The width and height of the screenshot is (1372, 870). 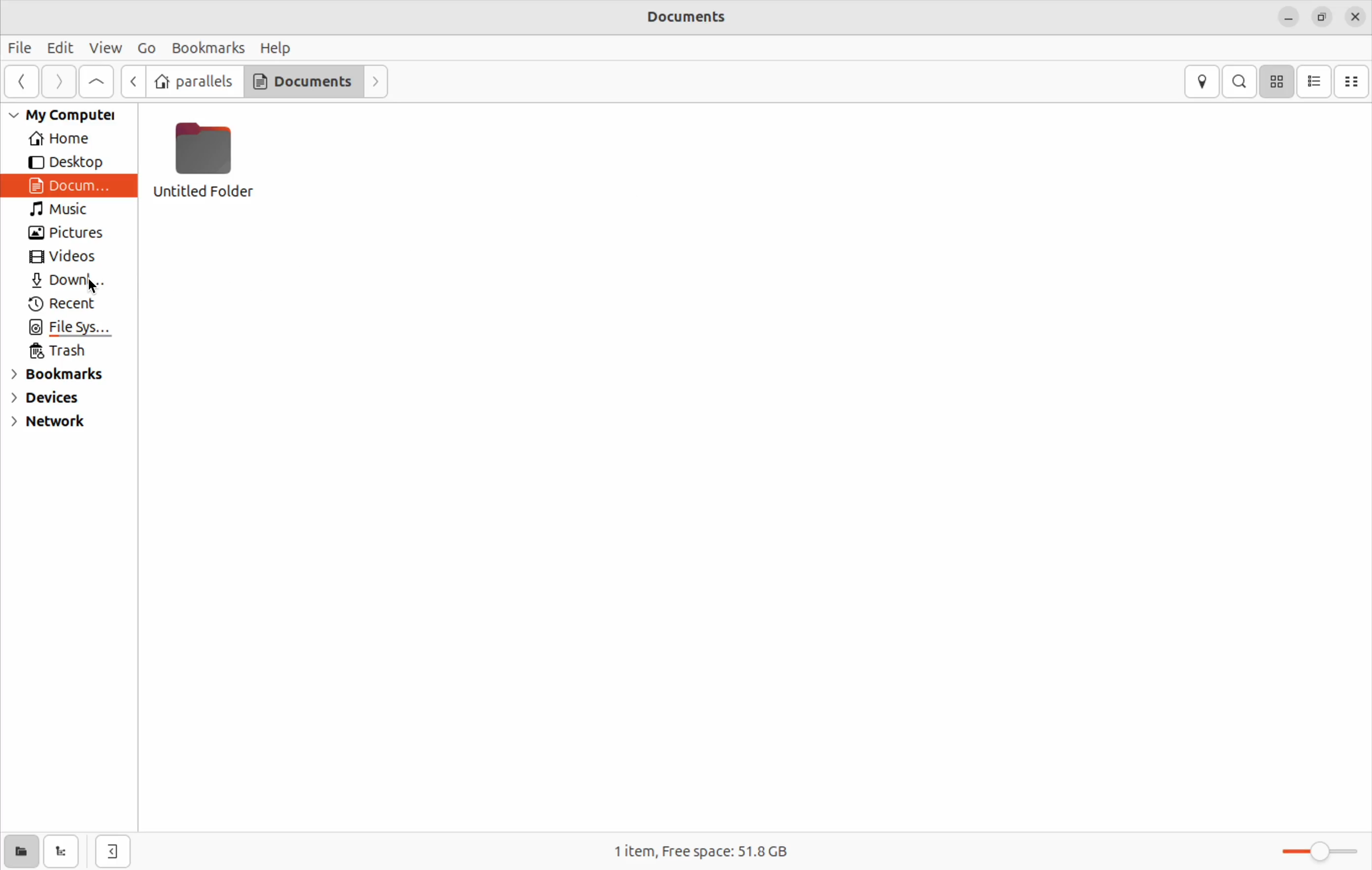 What do you see at coordinates (196, 82) in the screenshot?
I see `parallel` at bounding box center [196, 82].